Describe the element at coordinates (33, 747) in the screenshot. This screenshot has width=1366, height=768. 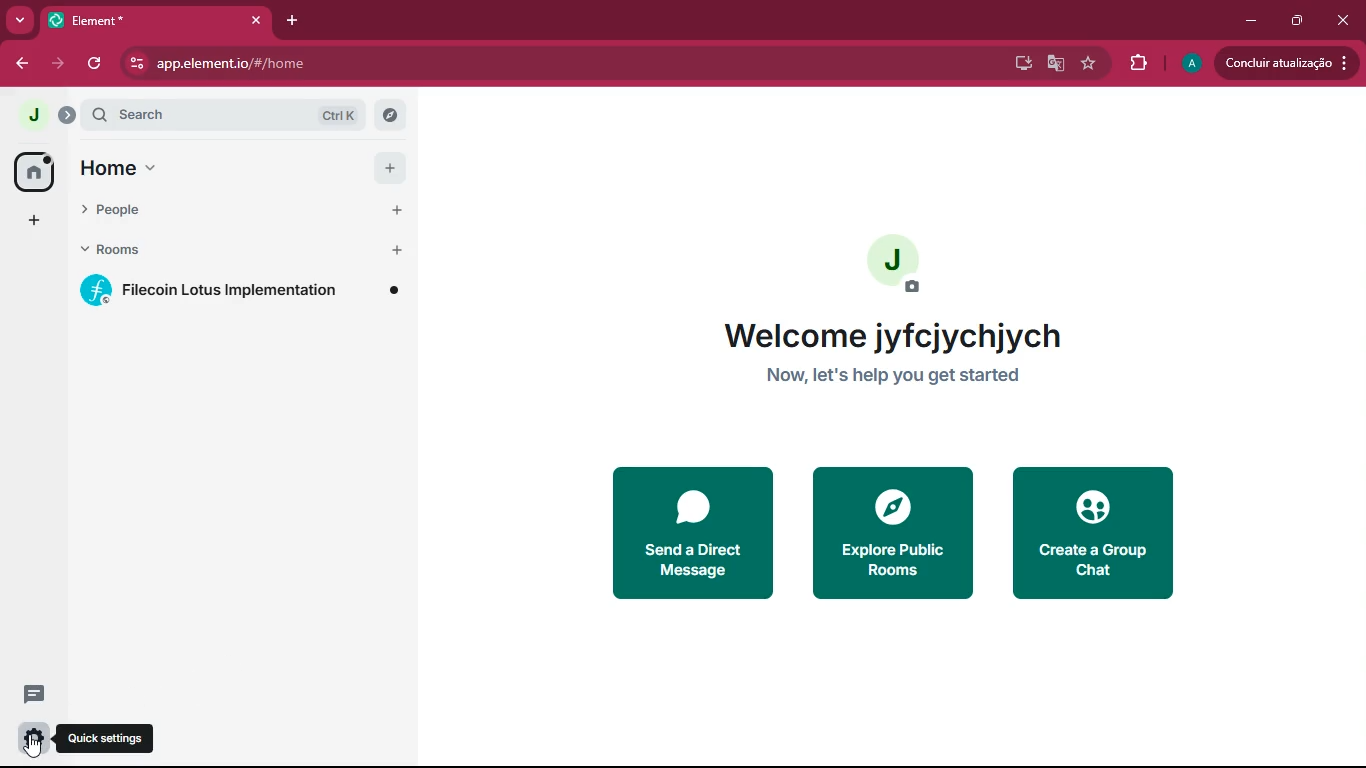
I see `cursor` at that location.